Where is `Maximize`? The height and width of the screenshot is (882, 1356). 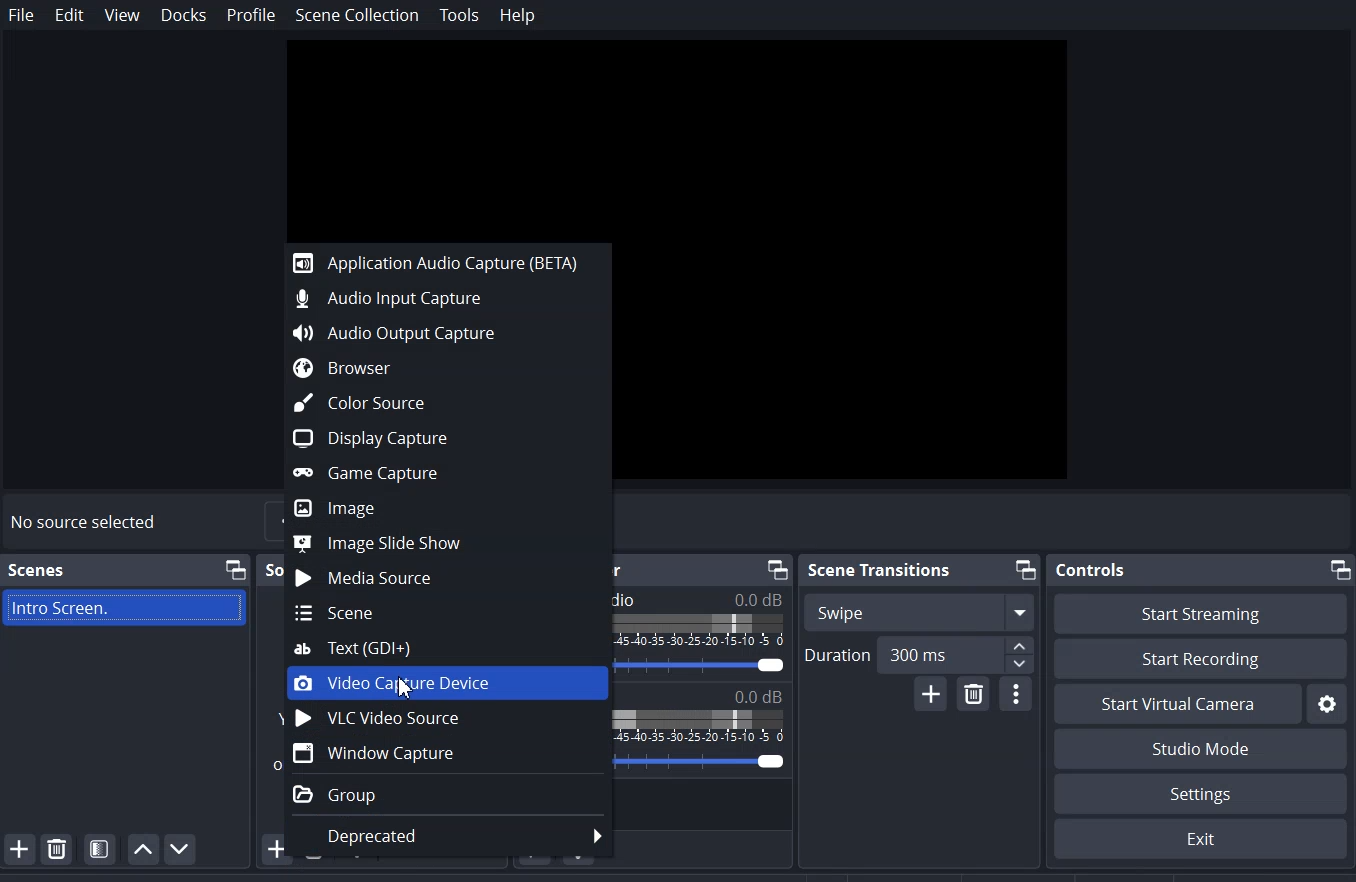 Maximize is located at coordinates (778, 569).